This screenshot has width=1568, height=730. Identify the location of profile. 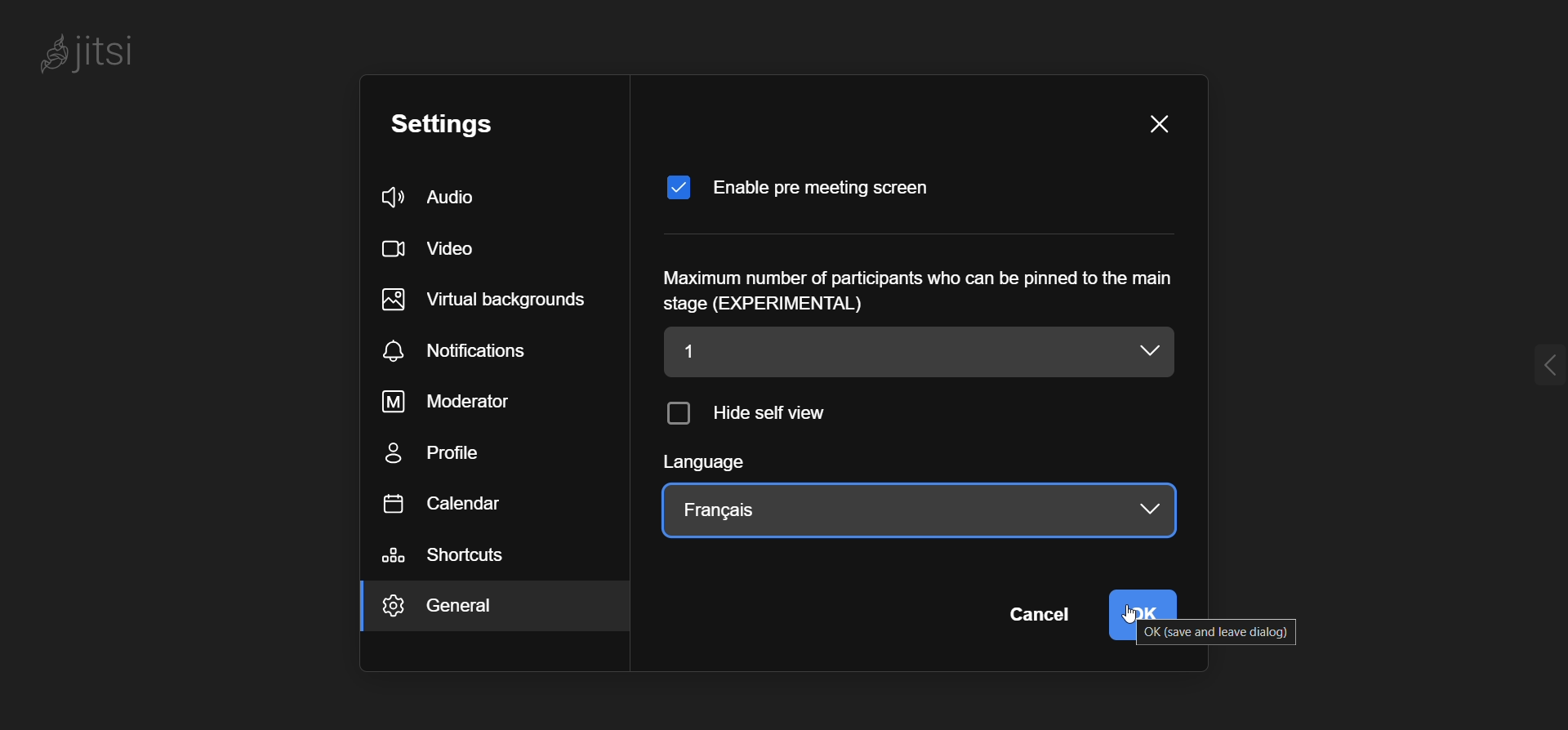
(444, 456).